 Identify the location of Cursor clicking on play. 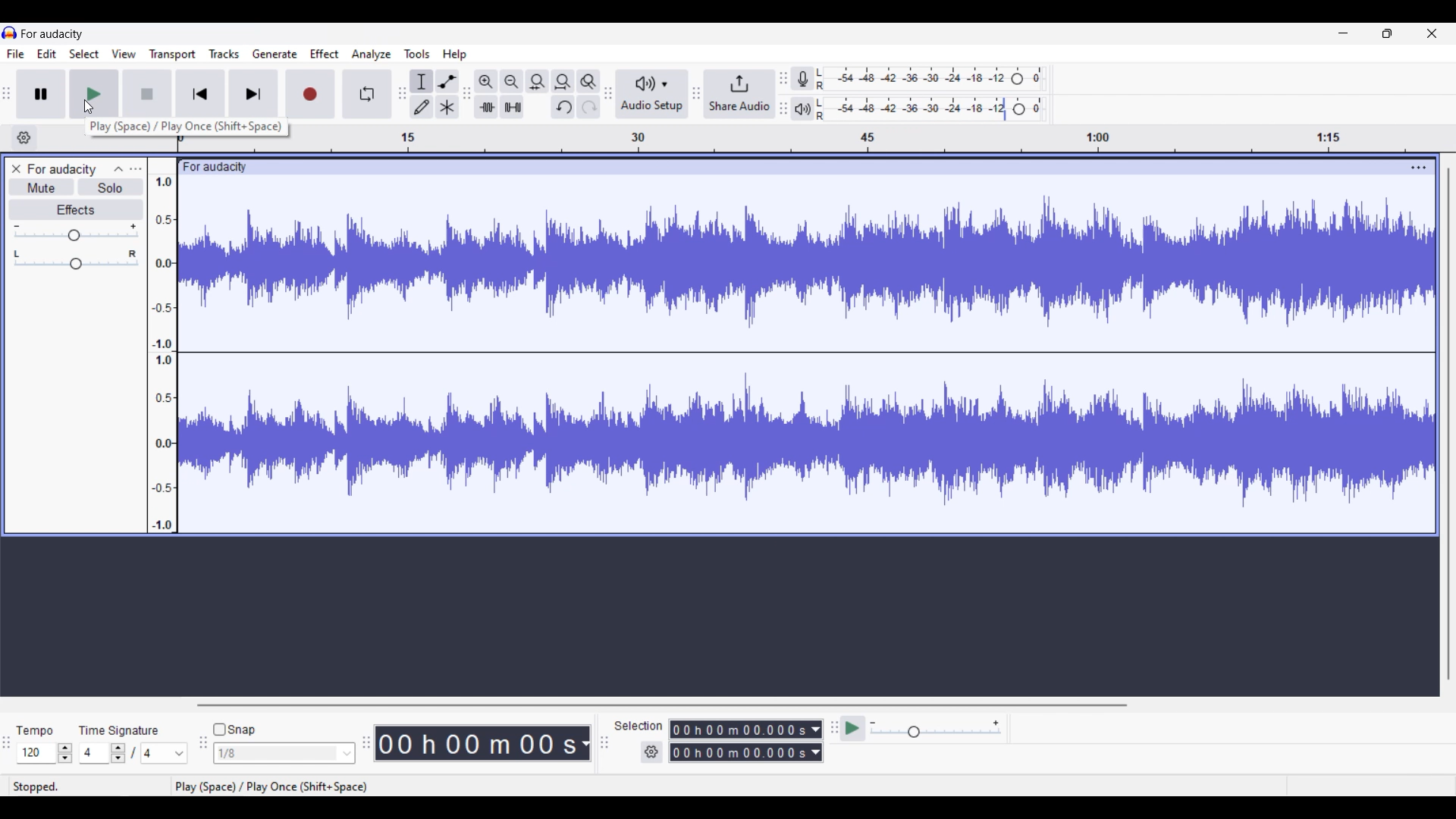
(89, 108).